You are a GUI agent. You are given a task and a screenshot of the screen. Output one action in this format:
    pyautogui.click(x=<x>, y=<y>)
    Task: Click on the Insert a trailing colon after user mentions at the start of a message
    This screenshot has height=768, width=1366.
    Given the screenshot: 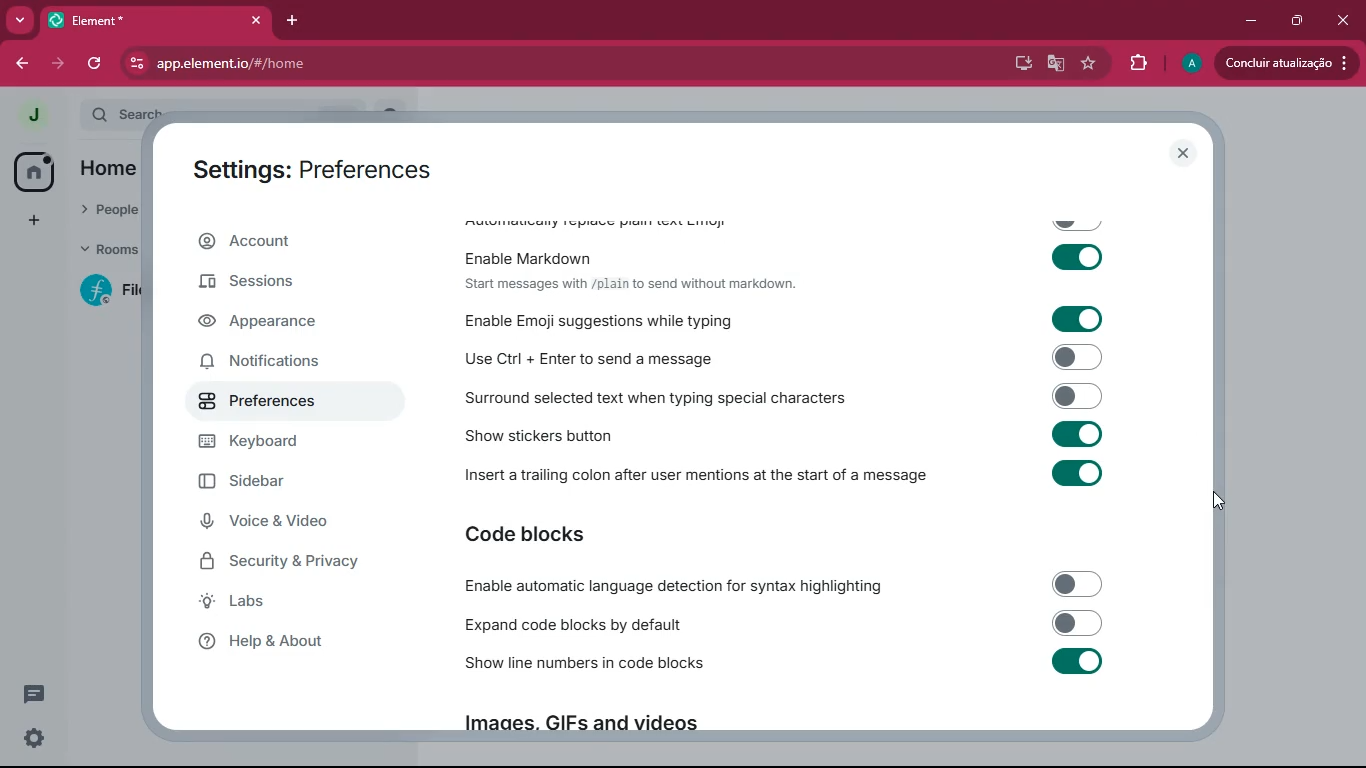 What is the action you would take?
    pyautogui.click(x=788, y=472)
    